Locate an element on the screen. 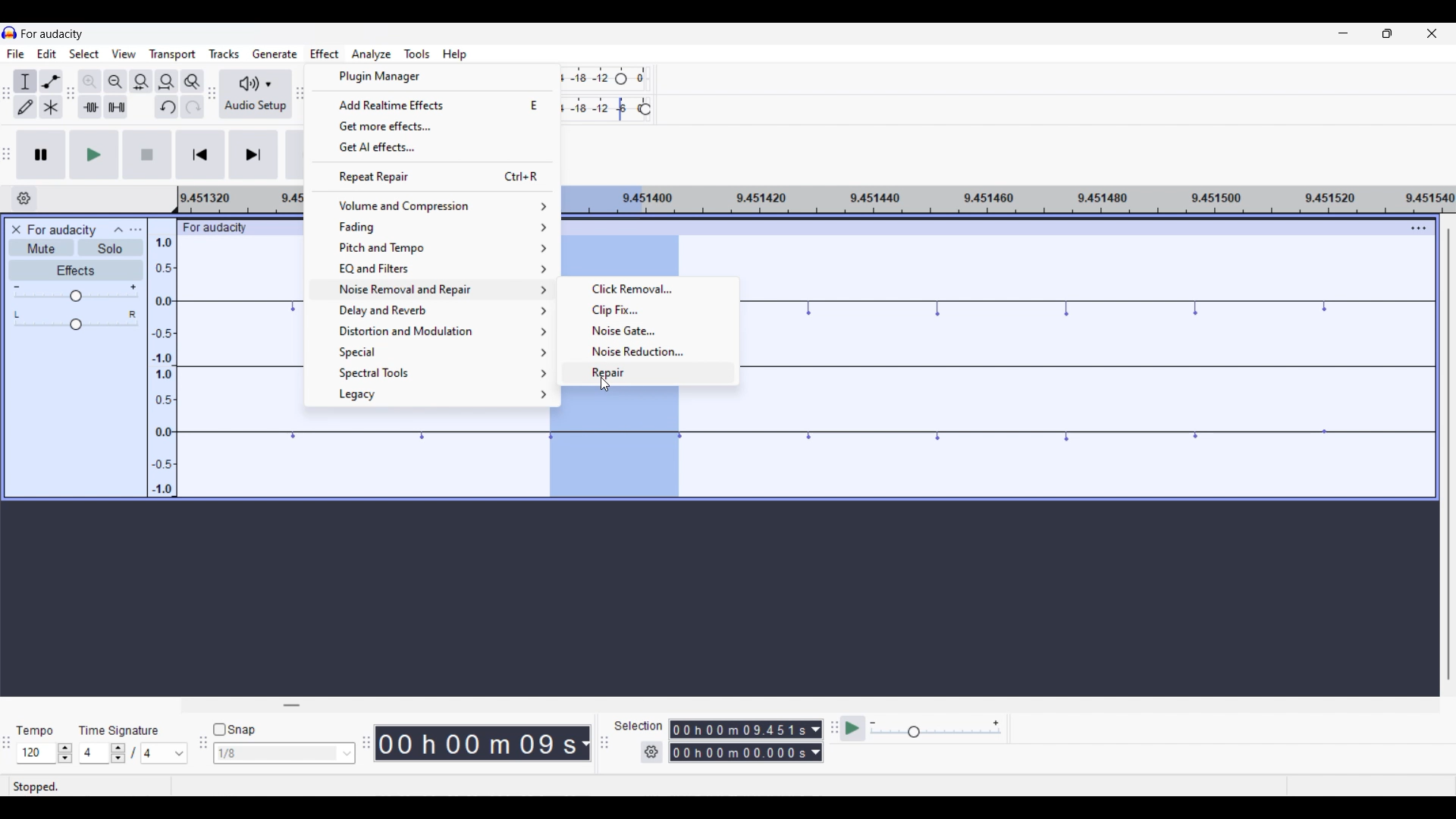 The width and height of the screenshot is (1456, 819). Current project is located at coordinates (61, 230).